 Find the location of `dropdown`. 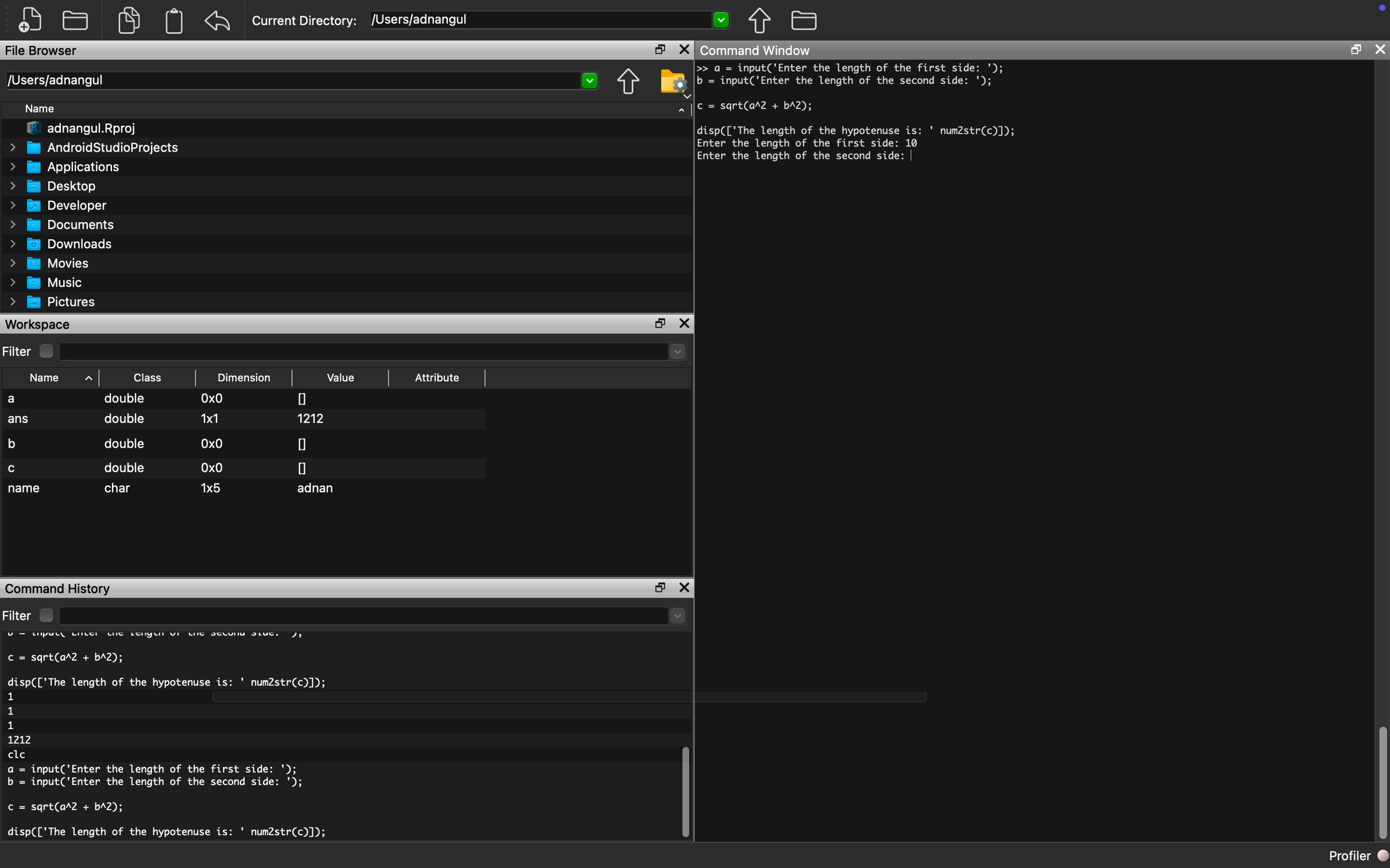

dropdown is located at coordinates (375, 352).